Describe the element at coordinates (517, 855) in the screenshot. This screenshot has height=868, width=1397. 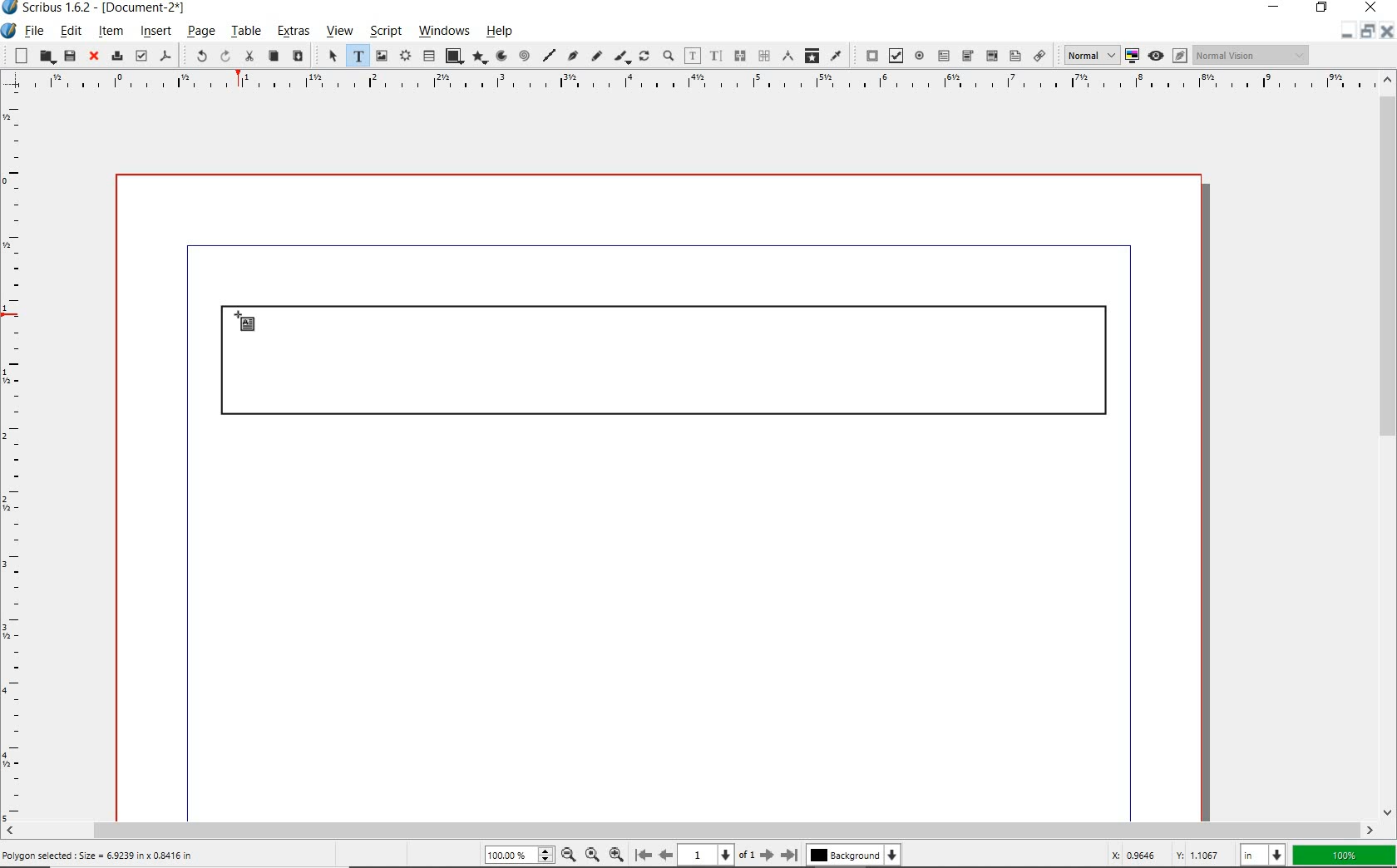
I see `zoom level` at that location.